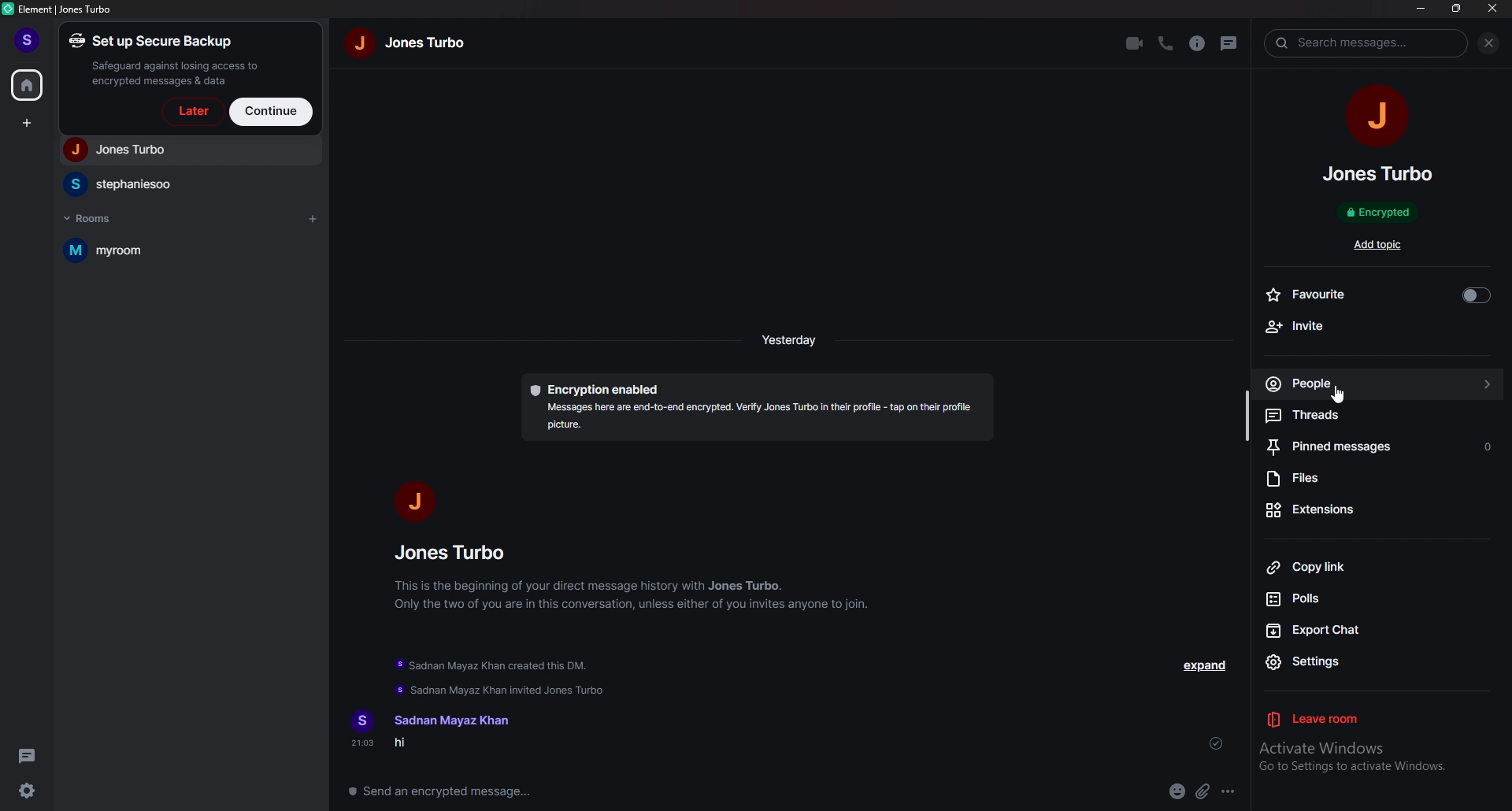 This screenshot has height=811, width=1512. Describe the element at coordinates (1422, 8) in the screenshot. I see `minimize` at that location.